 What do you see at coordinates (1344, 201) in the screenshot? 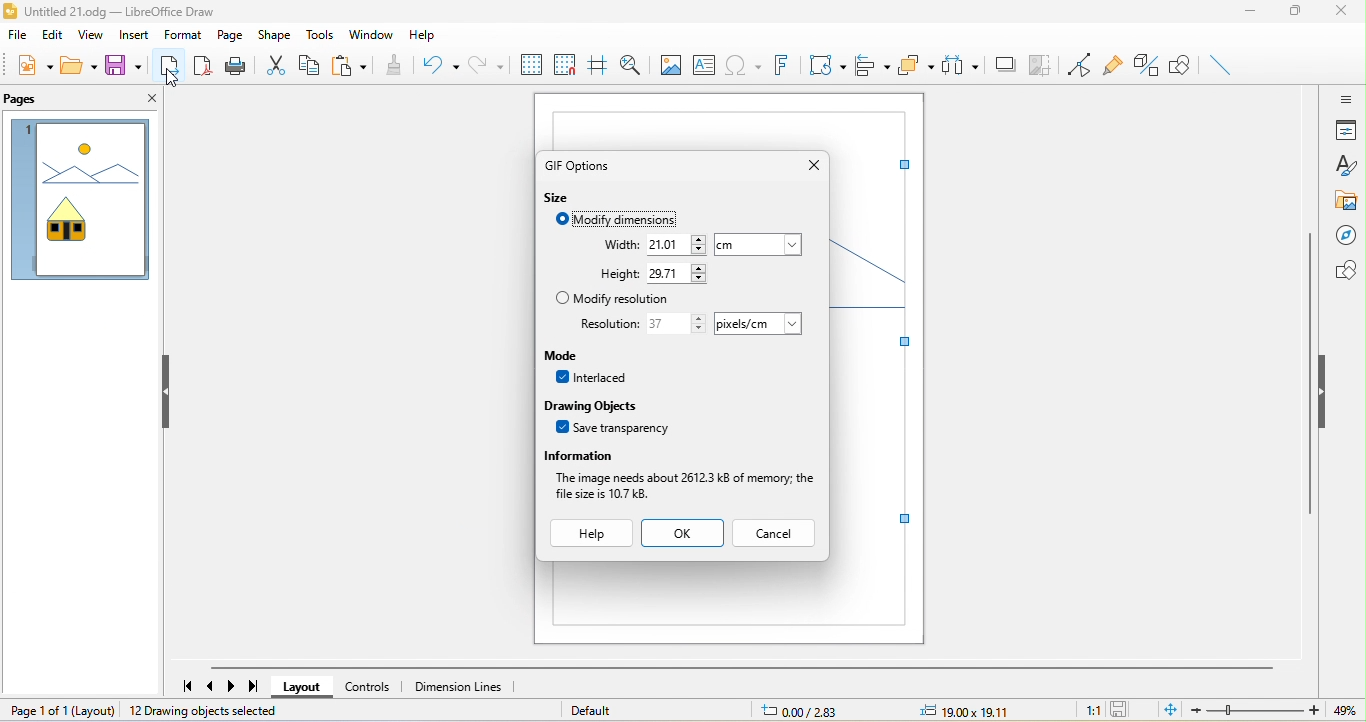
I see `gallery` at bounding box center [1344, 201].